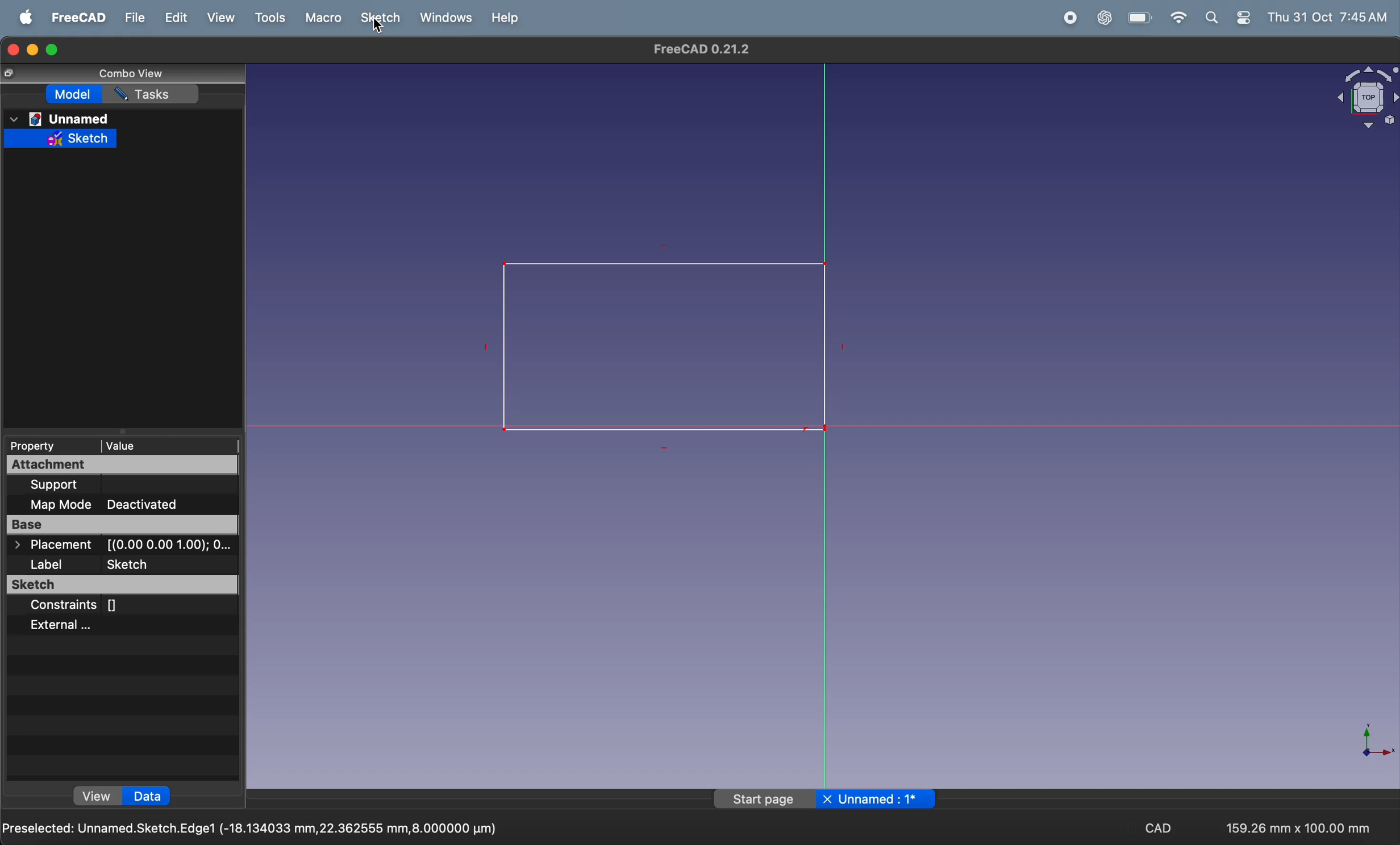 Image resolution: width=1400 pixels, height=845 pixels. What do you see at coordinates (1227, 19) in the screenshot?
I see `apple widgets` at bounding box center [1227, 19].